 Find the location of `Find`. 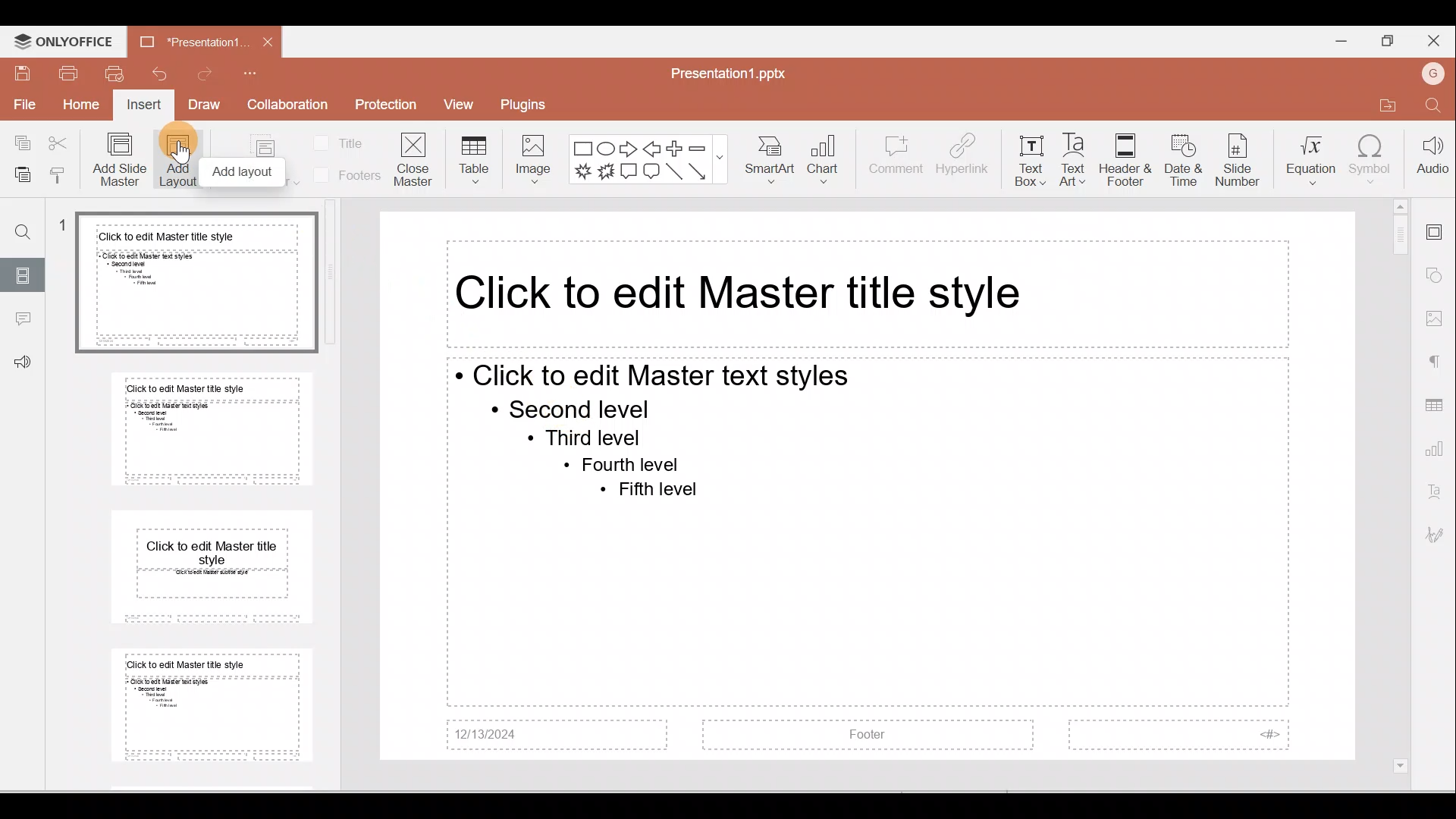

Find is located at coordinates (1435, 108).